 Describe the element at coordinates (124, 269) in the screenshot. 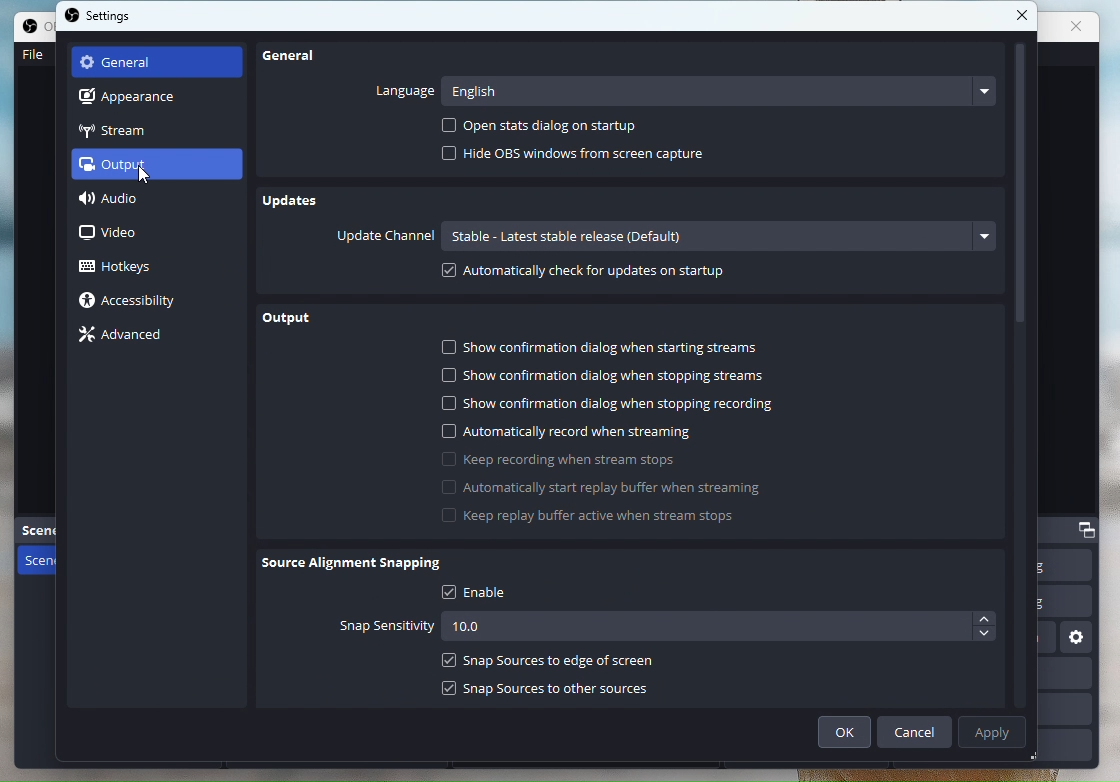

I see `Hotkeys` at that location.